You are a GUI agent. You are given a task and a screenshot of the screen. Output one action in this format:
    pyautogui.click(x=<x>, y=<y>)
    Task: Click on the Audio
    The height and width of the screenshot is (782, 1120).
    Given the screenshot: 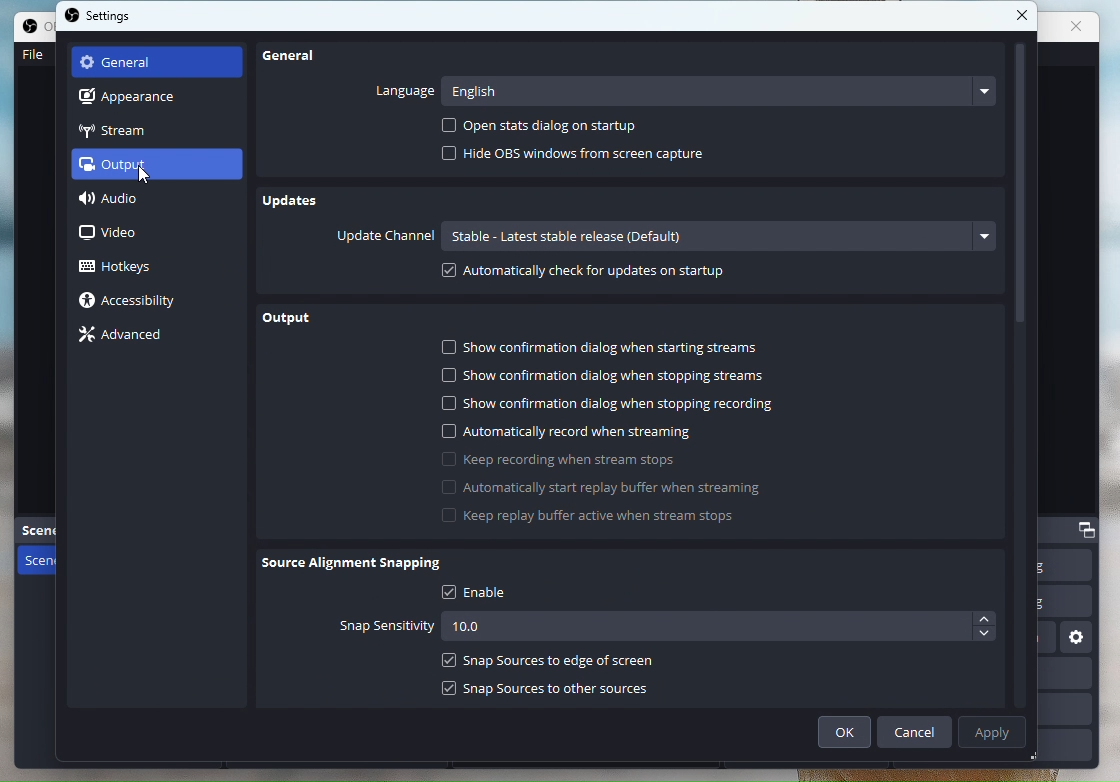 What is the action you would take?
    pyautogui.click(x=131, y=202)
    